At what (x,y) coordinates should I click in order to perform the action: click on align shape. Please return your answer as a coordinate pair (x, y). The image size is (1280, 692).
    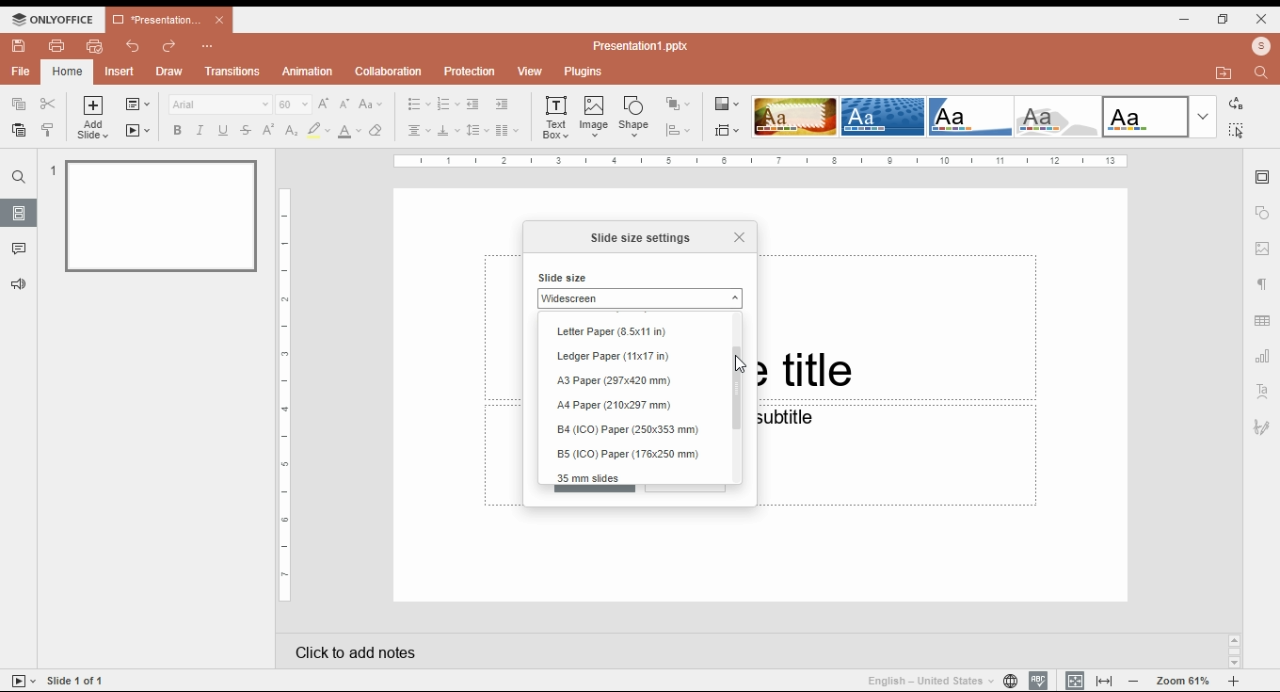
    Looking at the image, I should click on (680, 130).